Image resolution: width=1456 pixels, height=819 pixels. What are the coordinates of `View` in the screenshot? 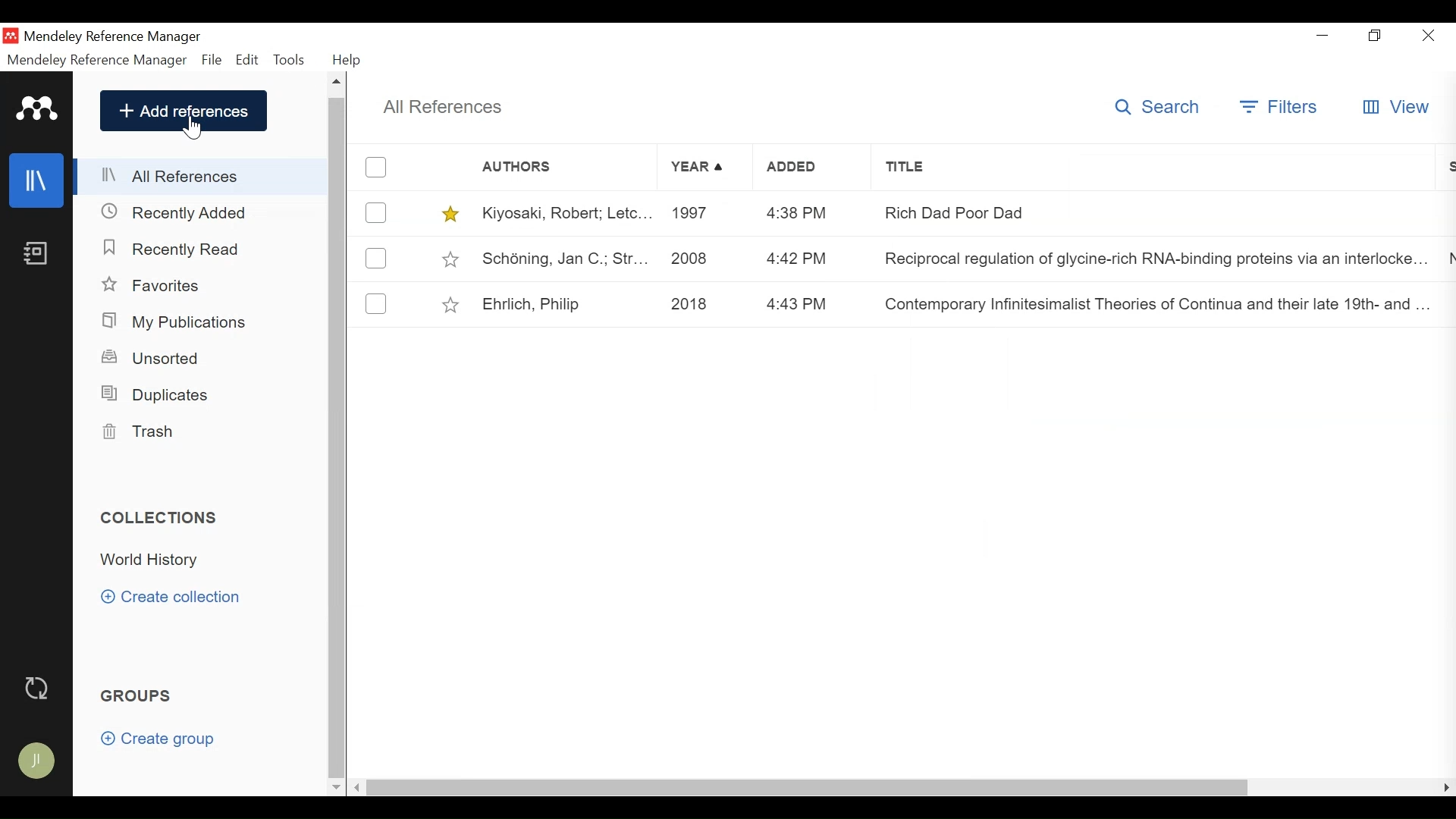 It's located at (1398, 108).